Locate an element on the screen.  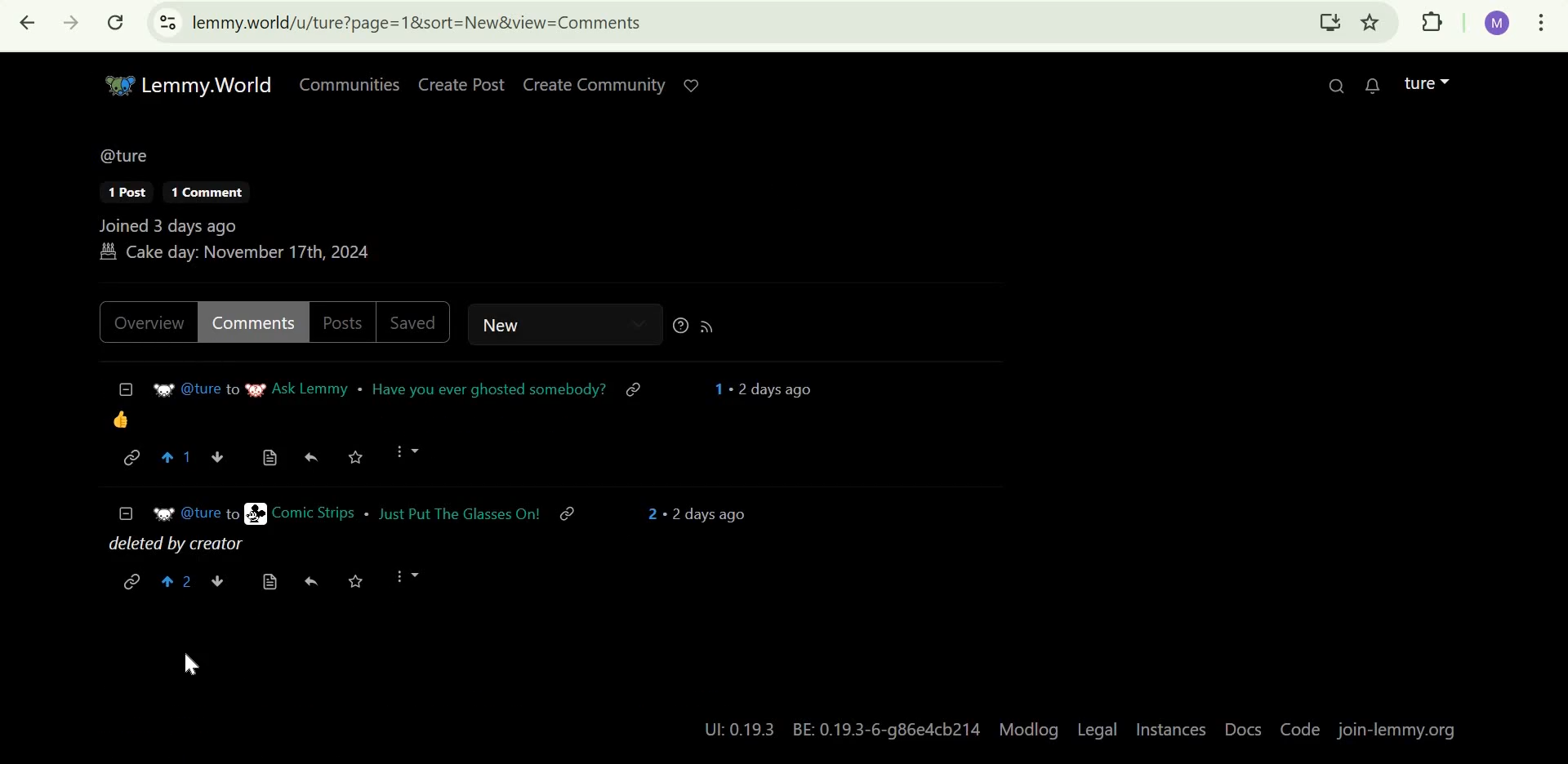
more is located at coordinates (407, 453).